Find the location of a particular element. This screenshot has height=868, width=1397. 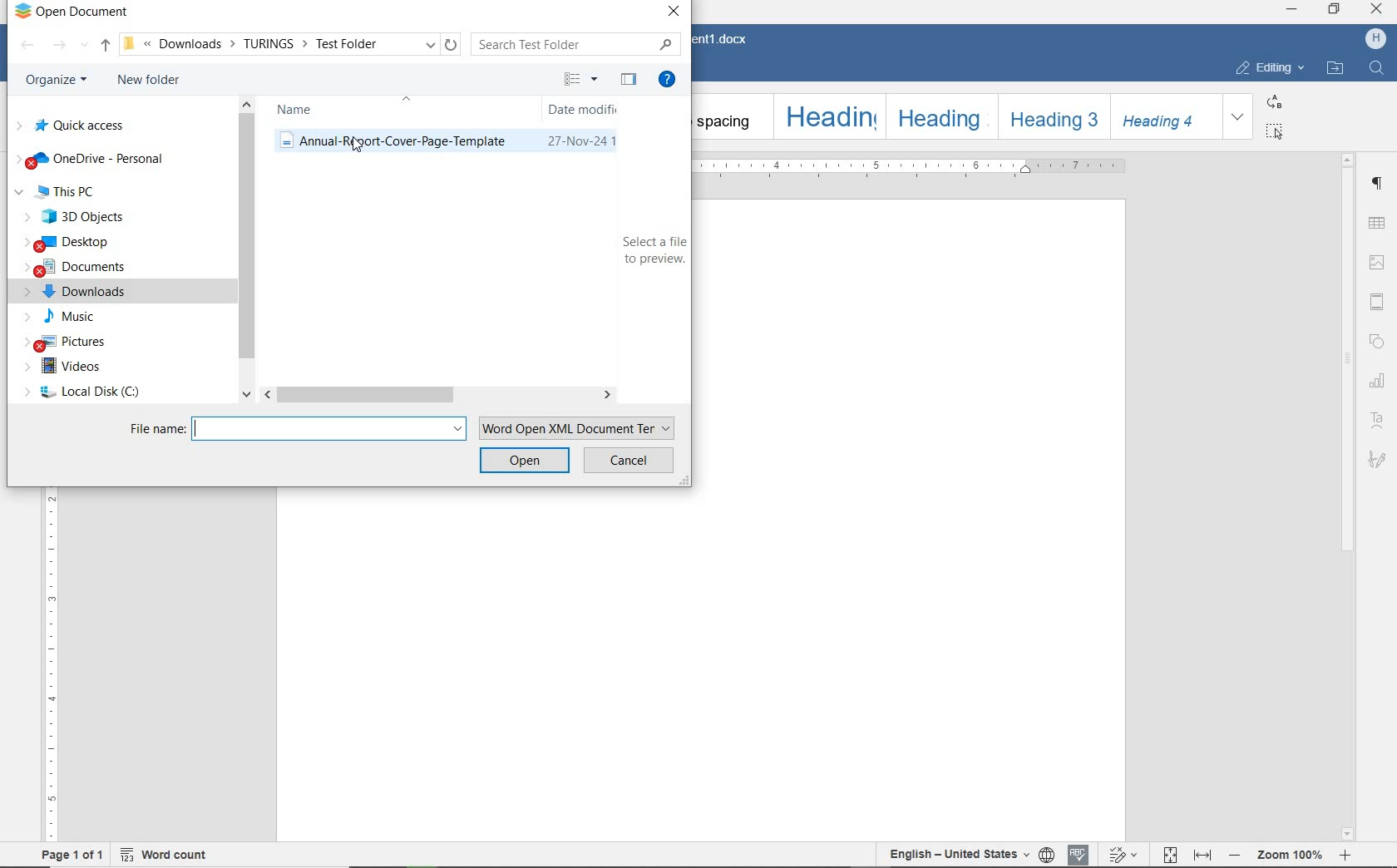

3D Objects is located at coordinates (81, 218).